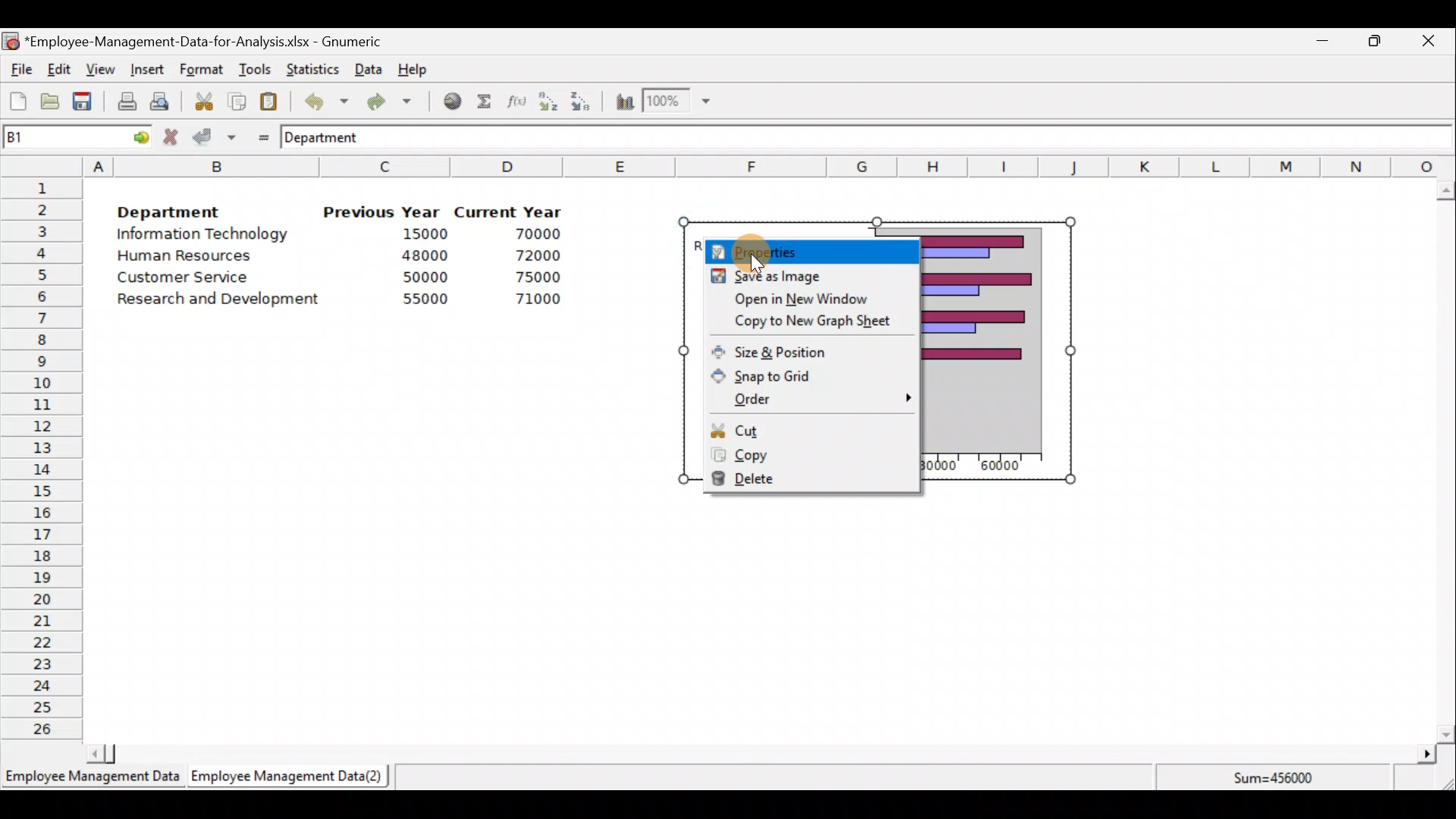 The width and height of the screenshot is (1456, 819). Describe the element at coordinates (11, 42) in the screenshot. I see `Gnumeric logo` at that location.